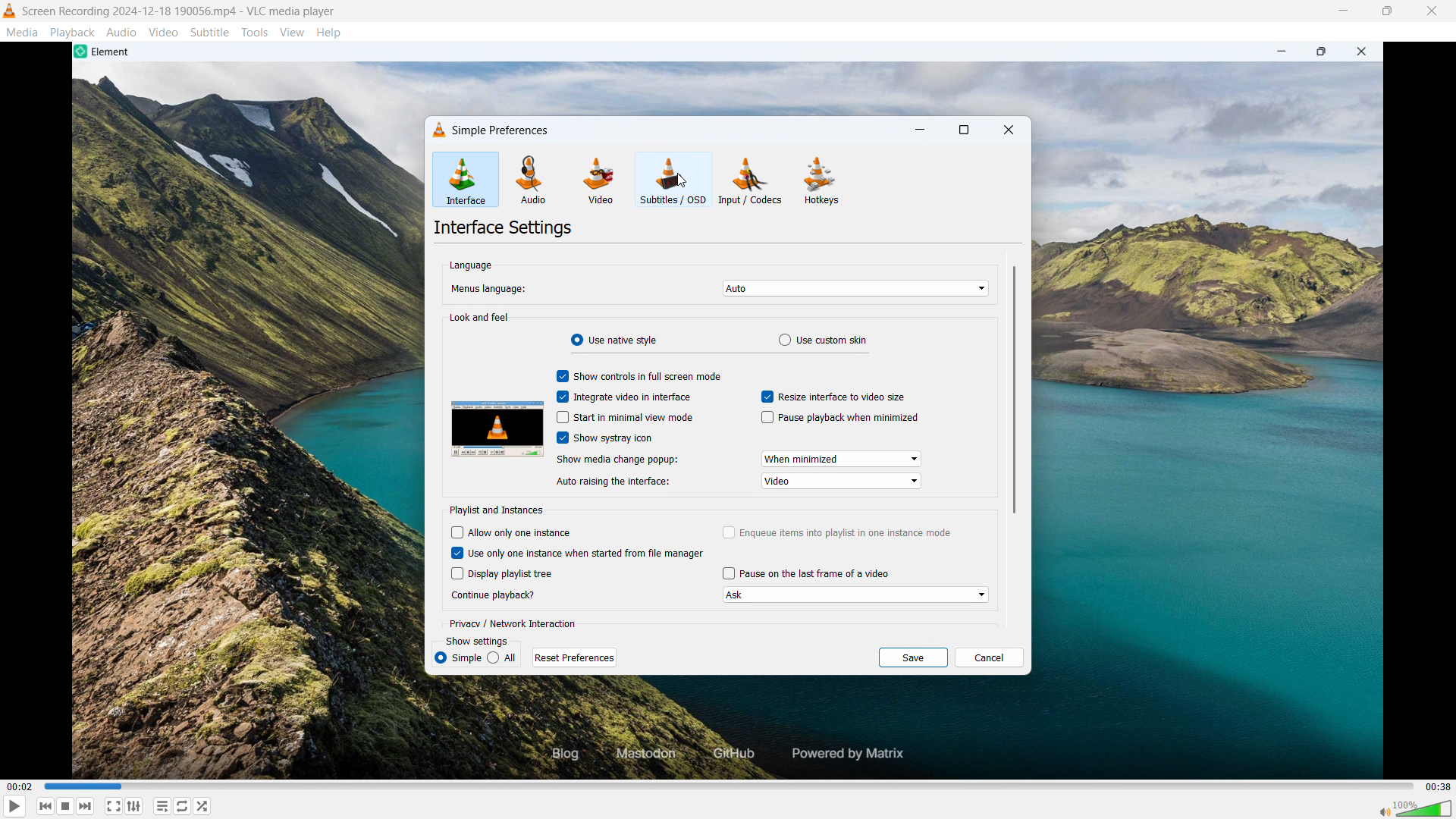 Image resolution: width=1456 pixels, height=819 pixels. Describe the element at coordinates (805, 573) in the screenshot. I see `pause on the last frame of a video` at that location.